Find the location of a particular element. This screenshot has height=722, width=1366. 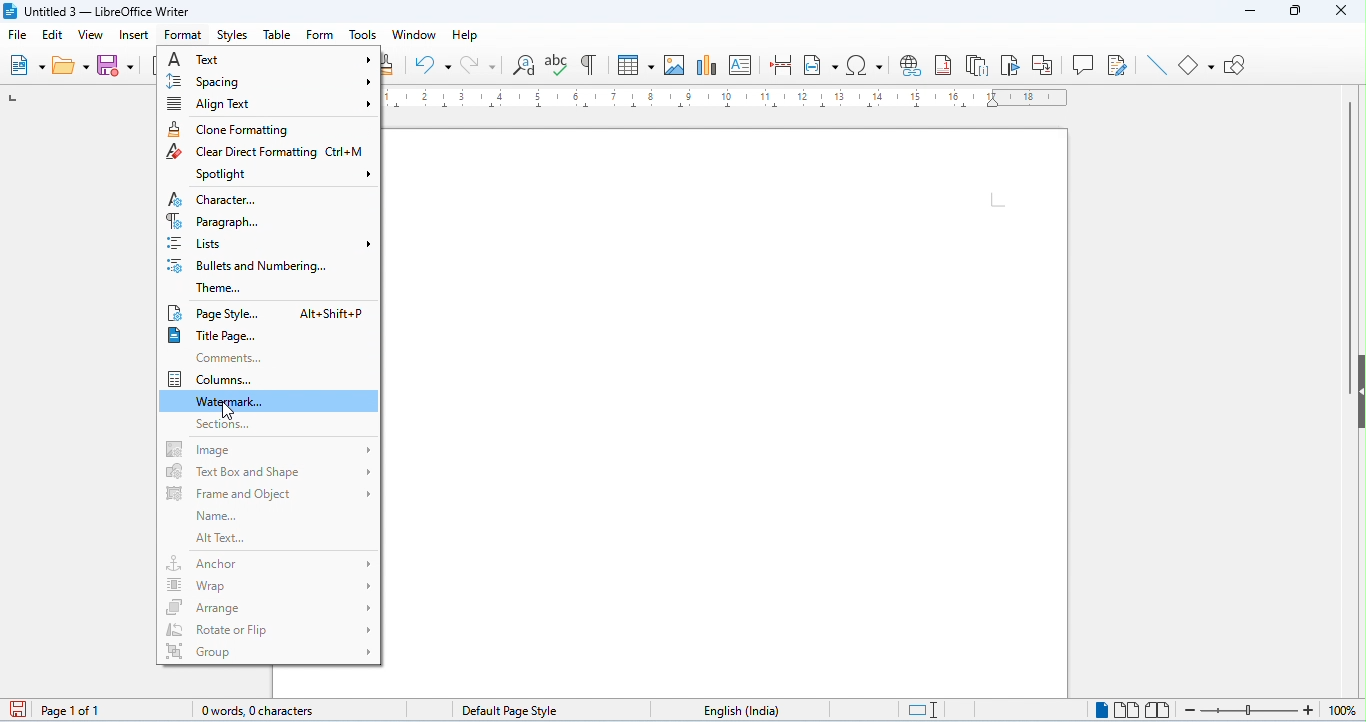

window is located at coordinates (417, 35).